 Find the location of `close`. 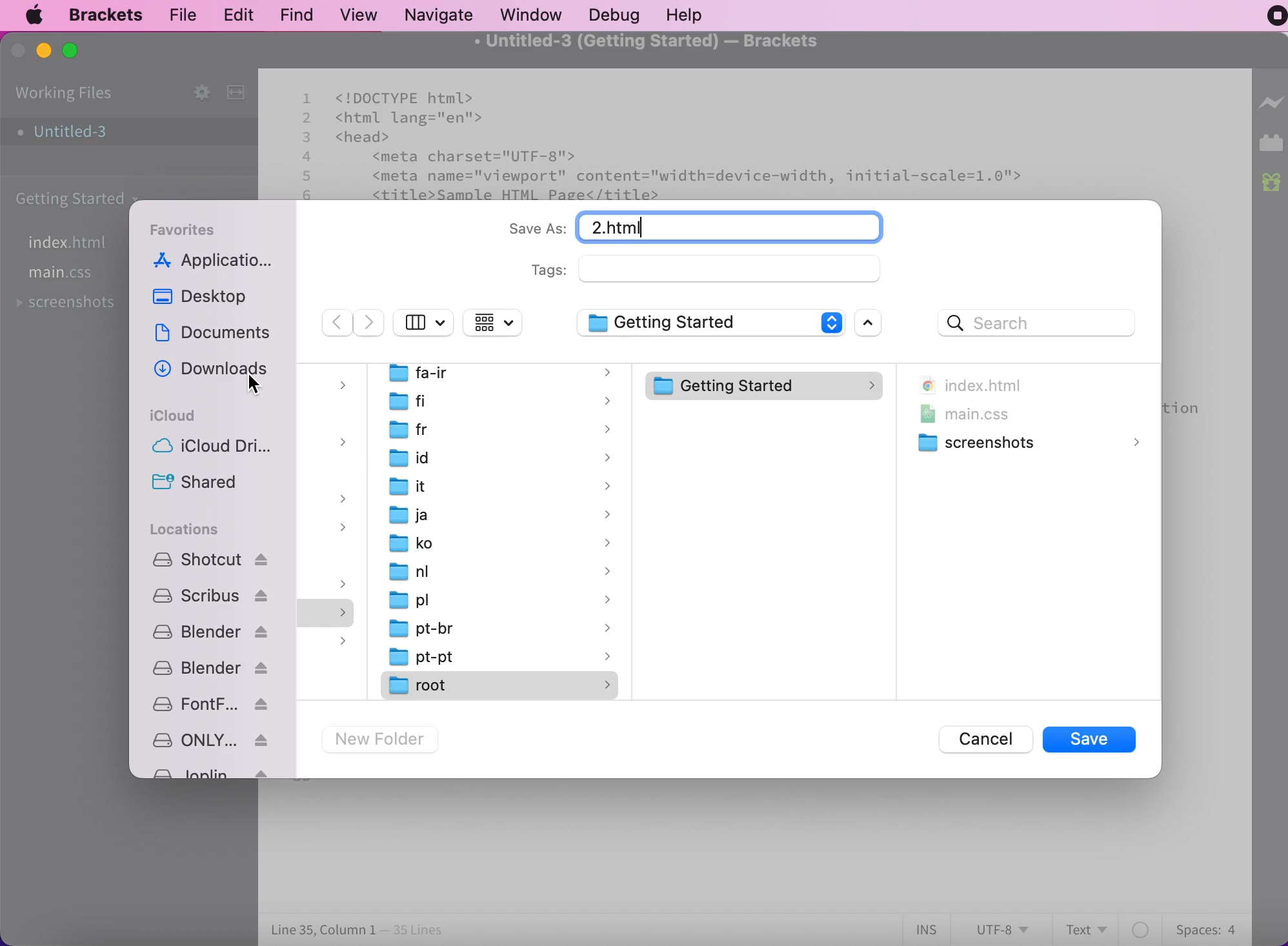

close is located at coordinates (19, 52).